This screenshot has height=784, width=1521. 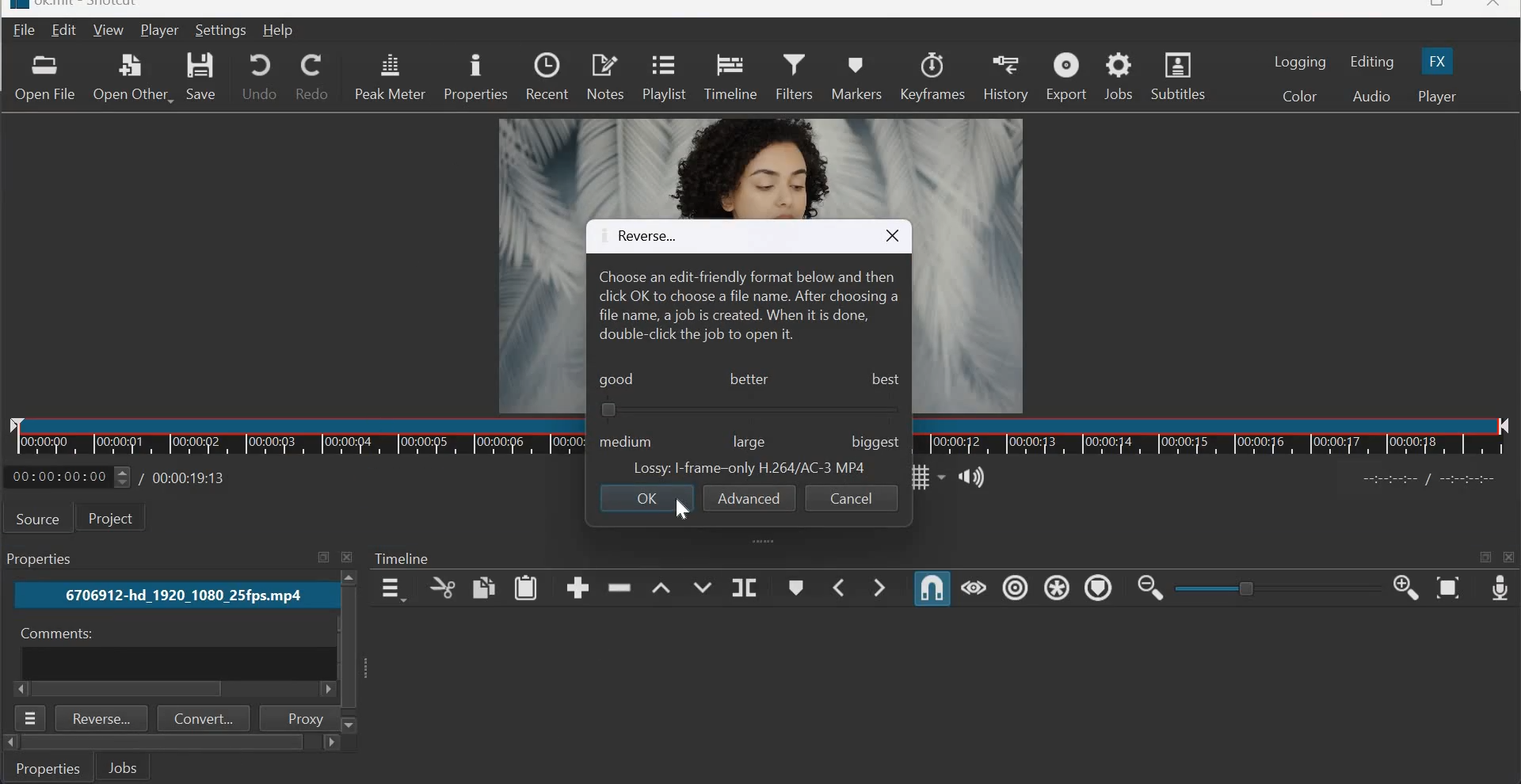 I want to click on Save, so click(x=204, y=76).